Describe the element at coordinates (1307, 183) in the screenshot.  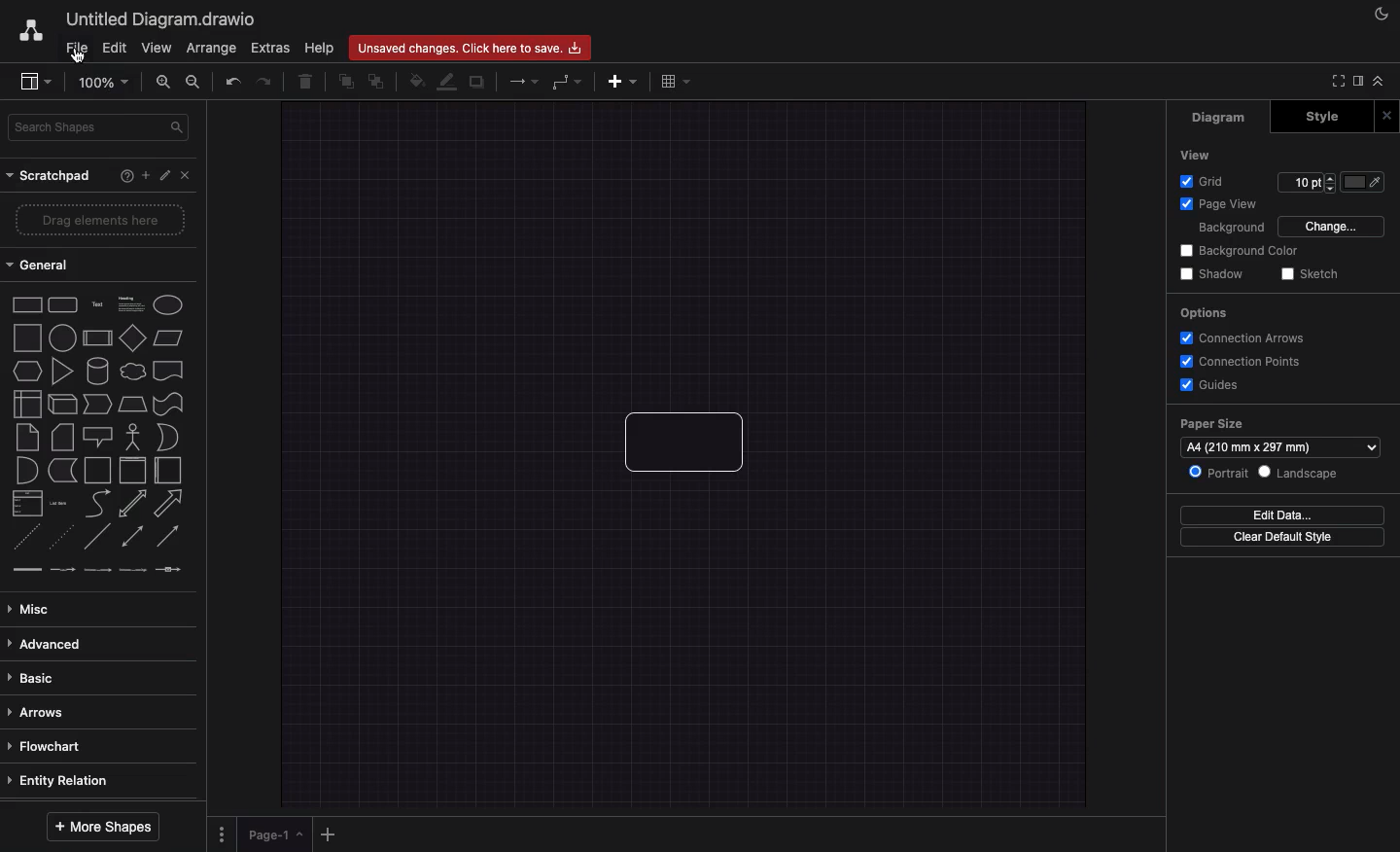
I see `Size 10pt` at that location.